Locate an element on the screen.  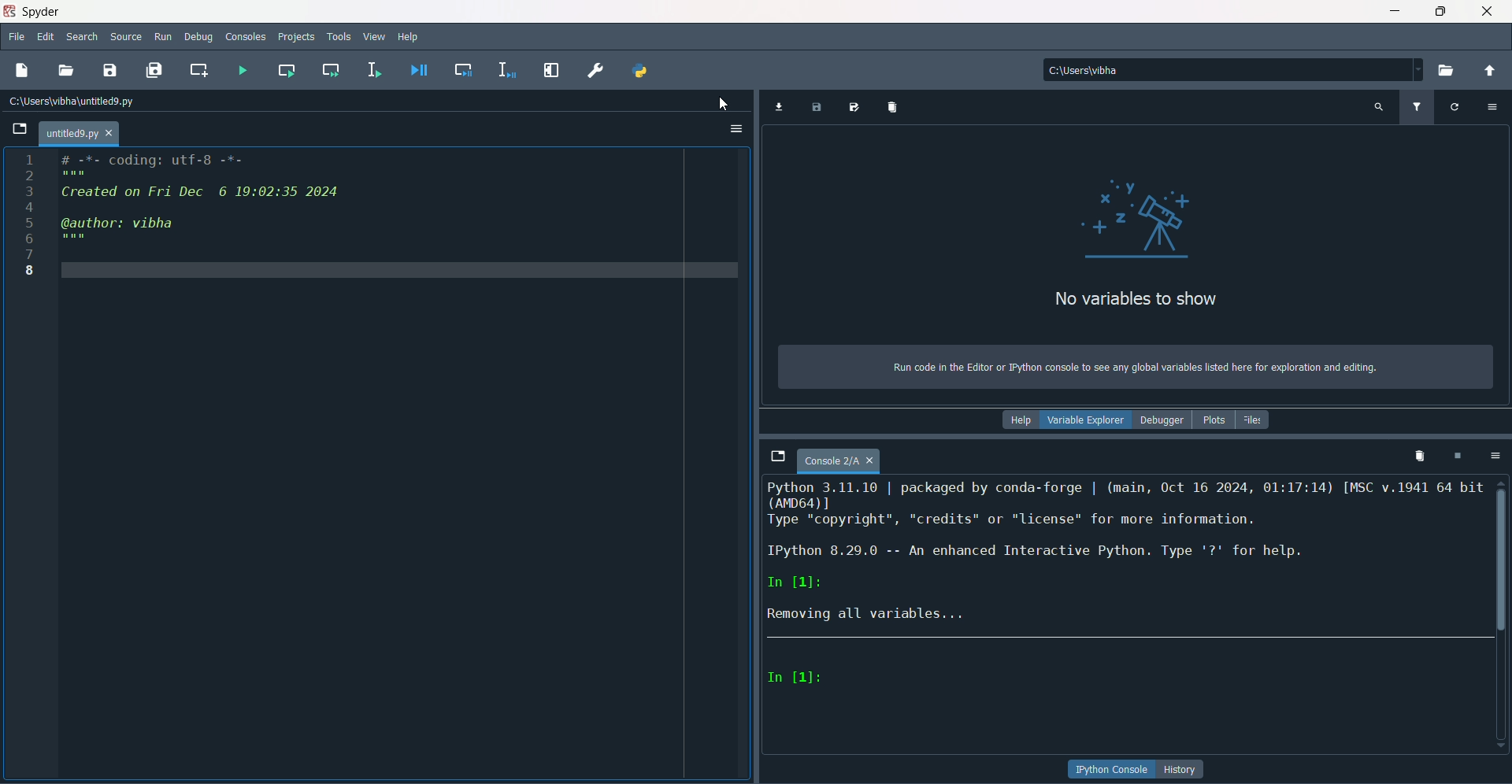
pythonpath manager is located at coordinates (642, 72).